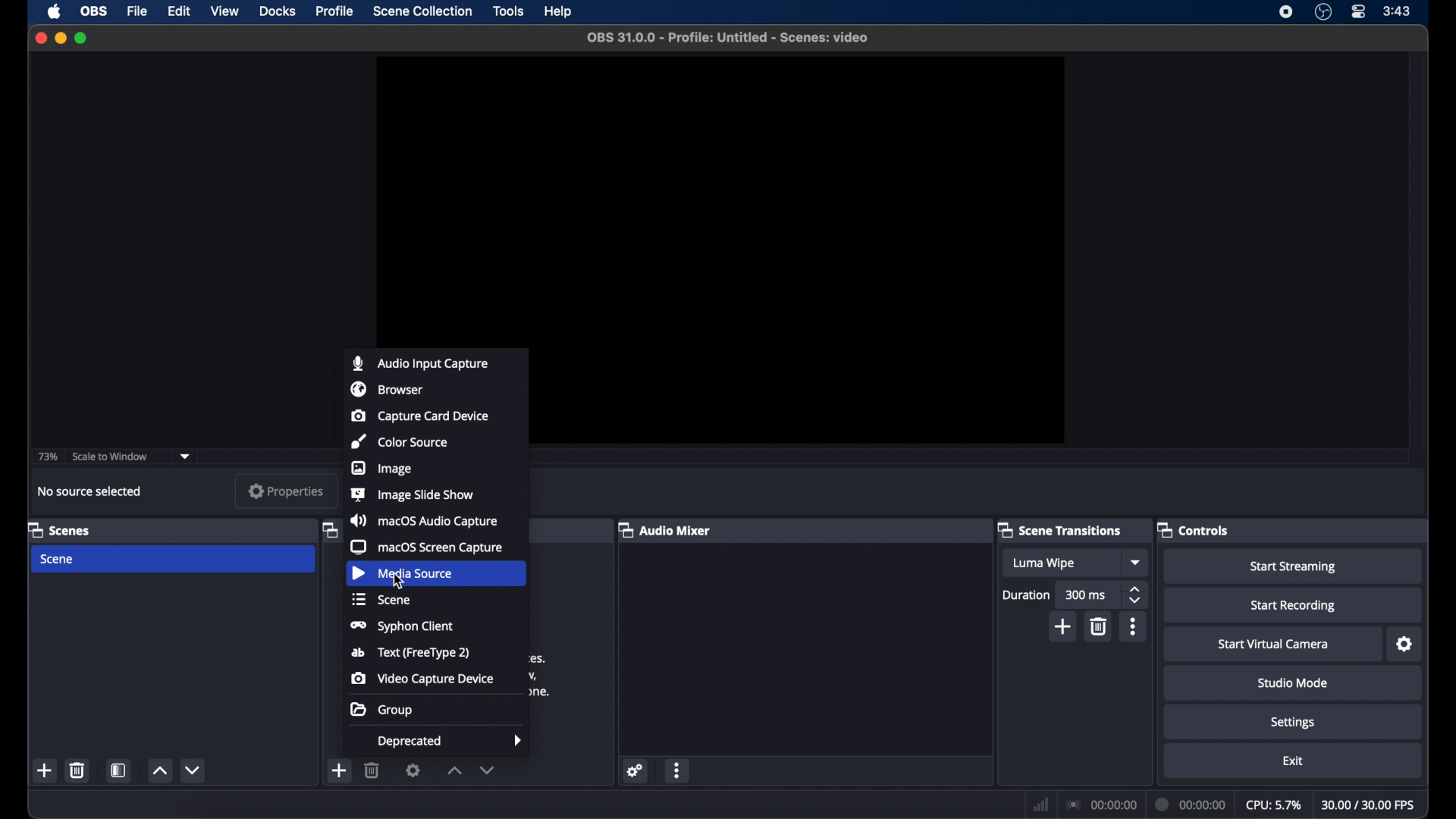  Describe the element at coordinates (45, 770) in the screenshot. I see `add` at that location.